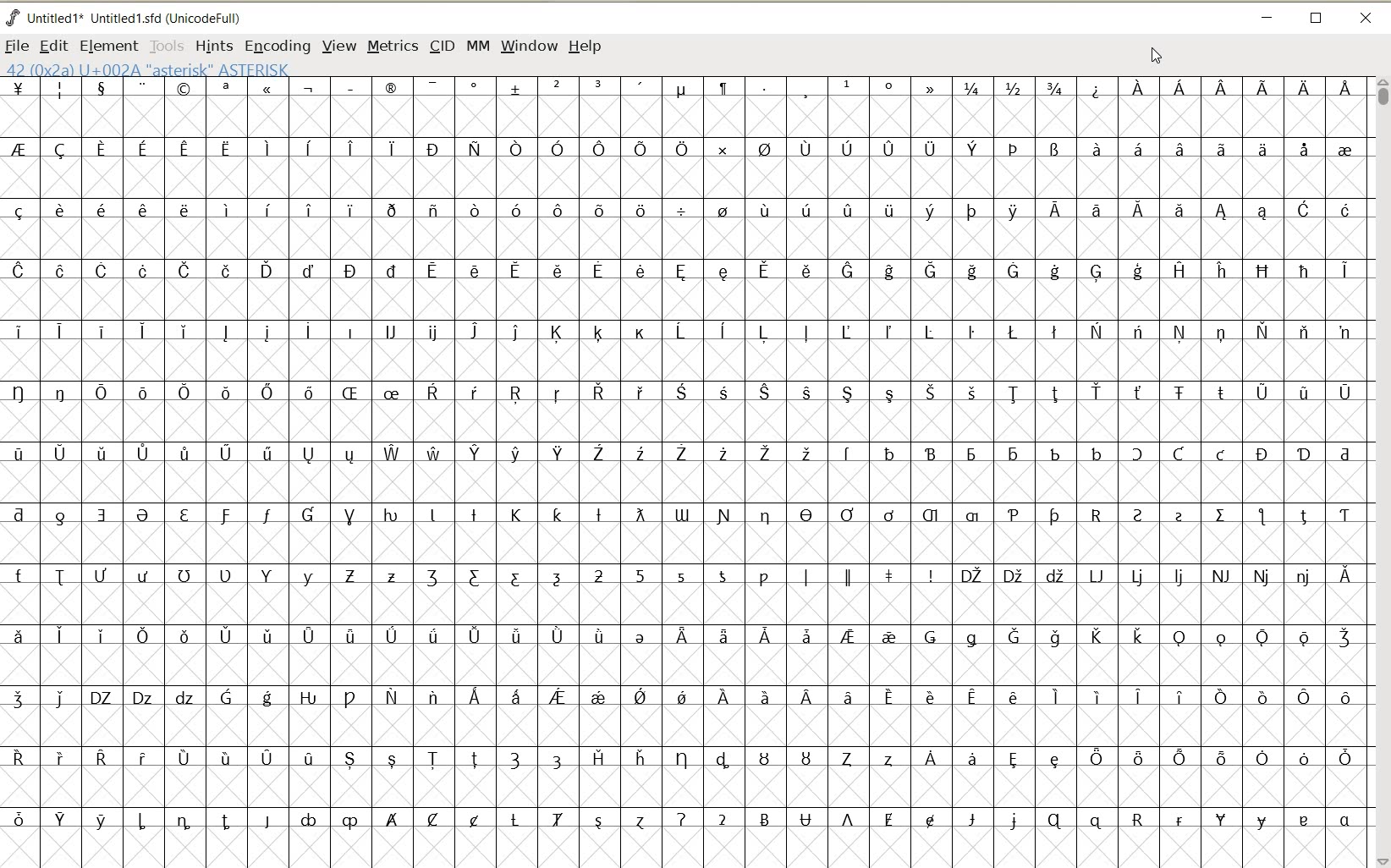  What do you see at coordinates (17, 45) in the screenshot?
I see `FILE` at bounding box center [17, 45].